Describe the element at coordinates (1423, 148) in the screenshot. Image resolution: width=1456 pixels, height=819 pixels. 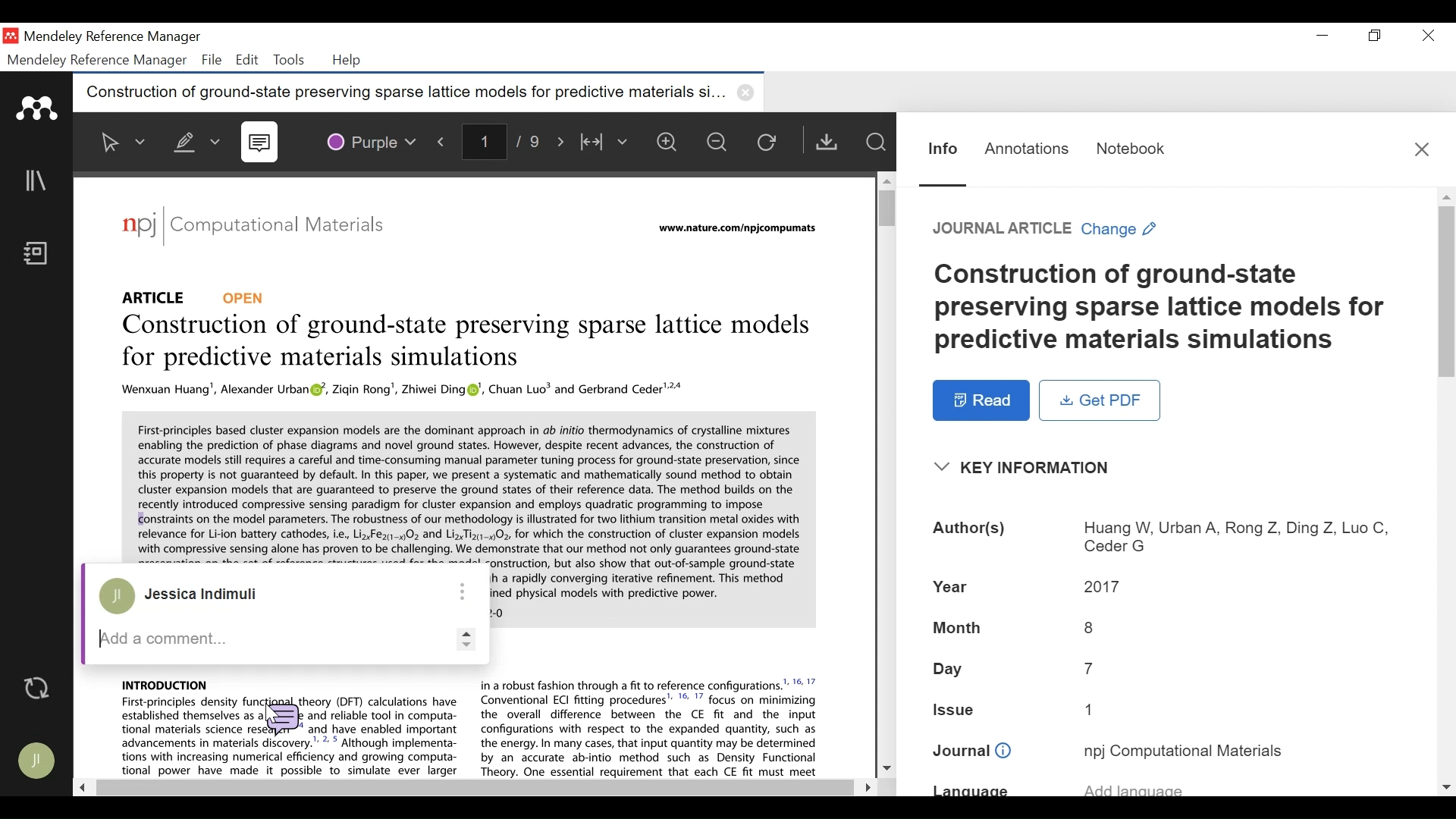
I see `Close` at that location.